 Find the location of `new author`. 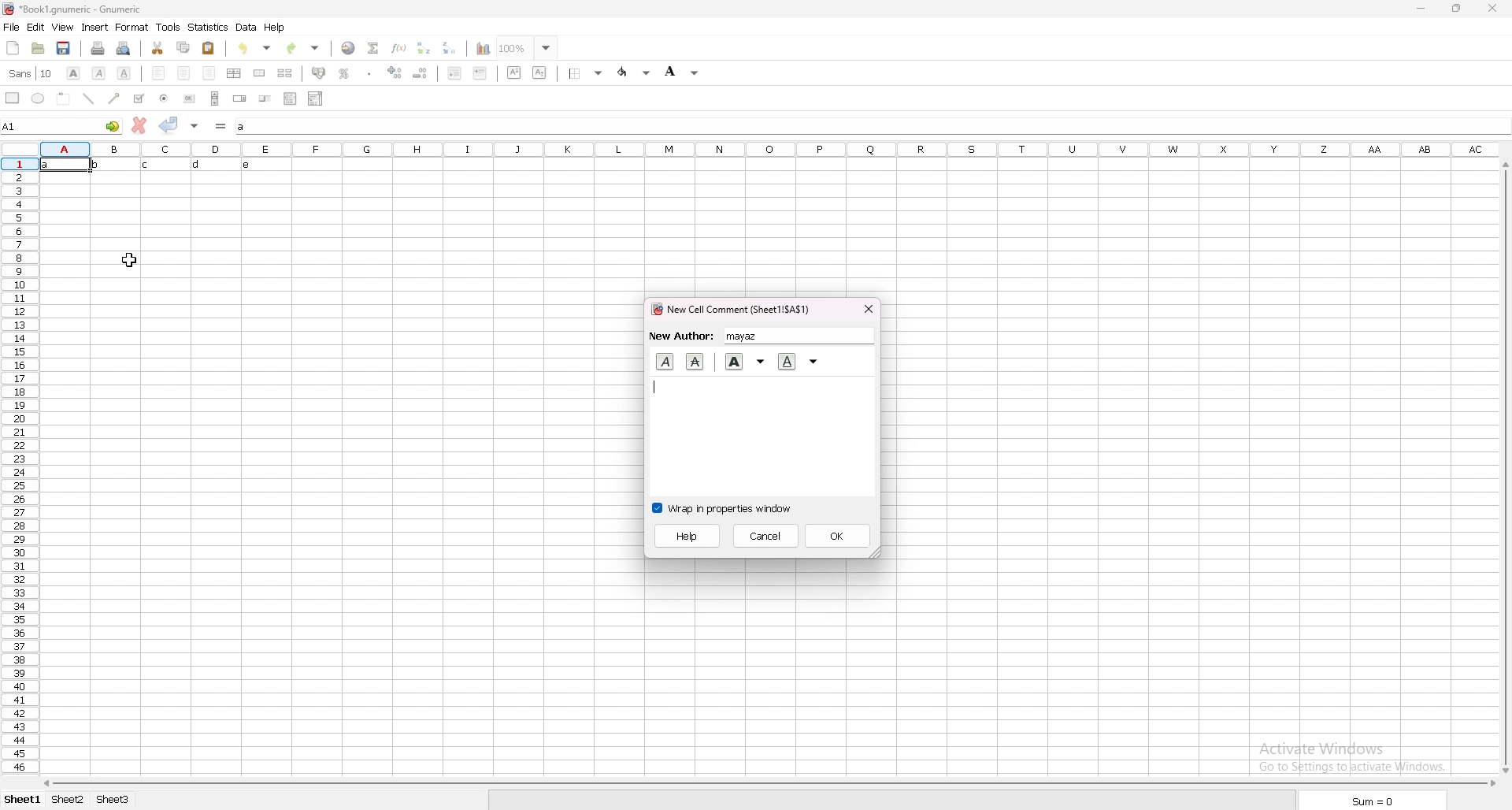

new author is located at coordinates (760, 336).